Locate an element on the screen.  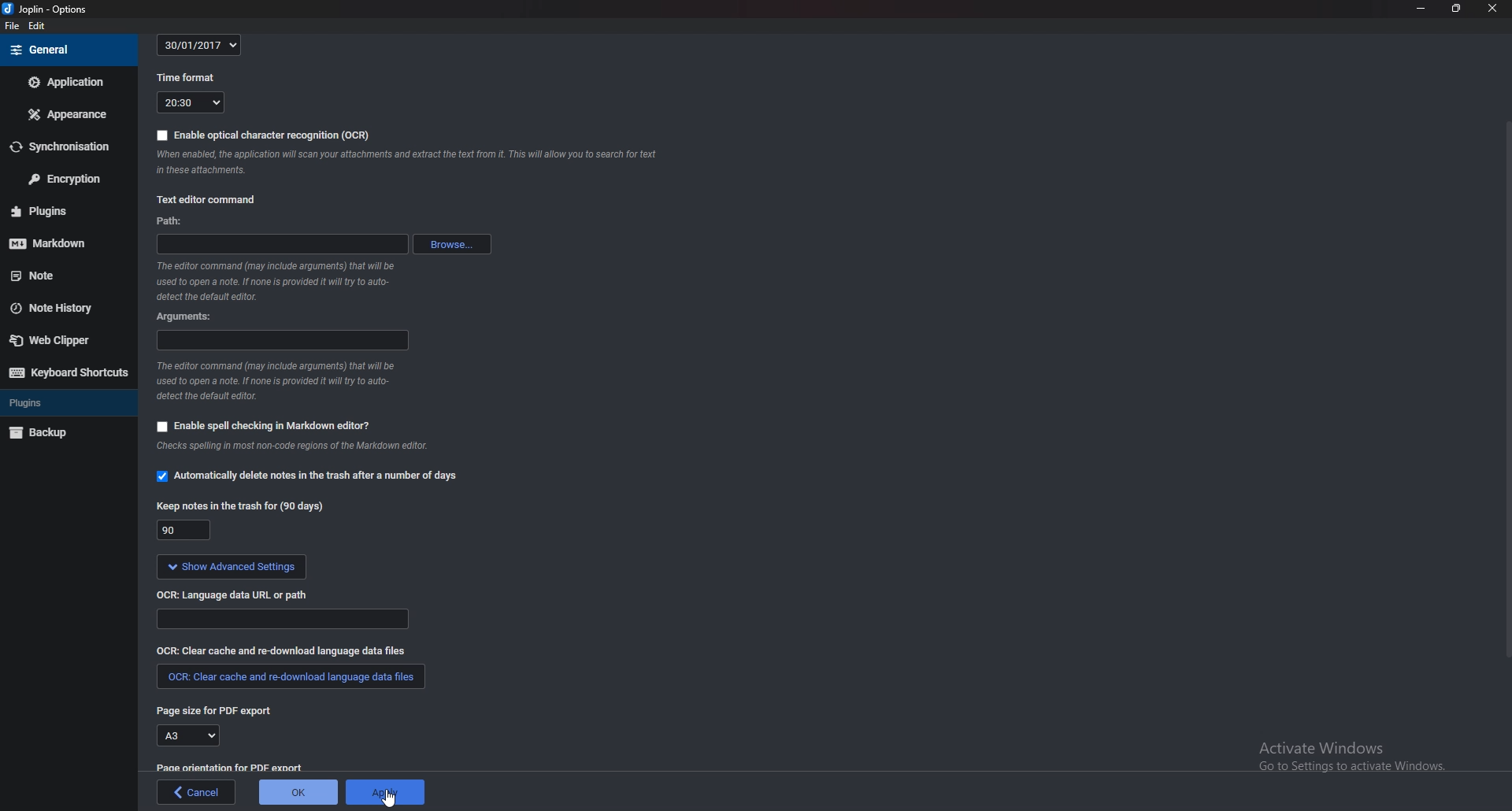
browse is located at coordinates (451, 244).